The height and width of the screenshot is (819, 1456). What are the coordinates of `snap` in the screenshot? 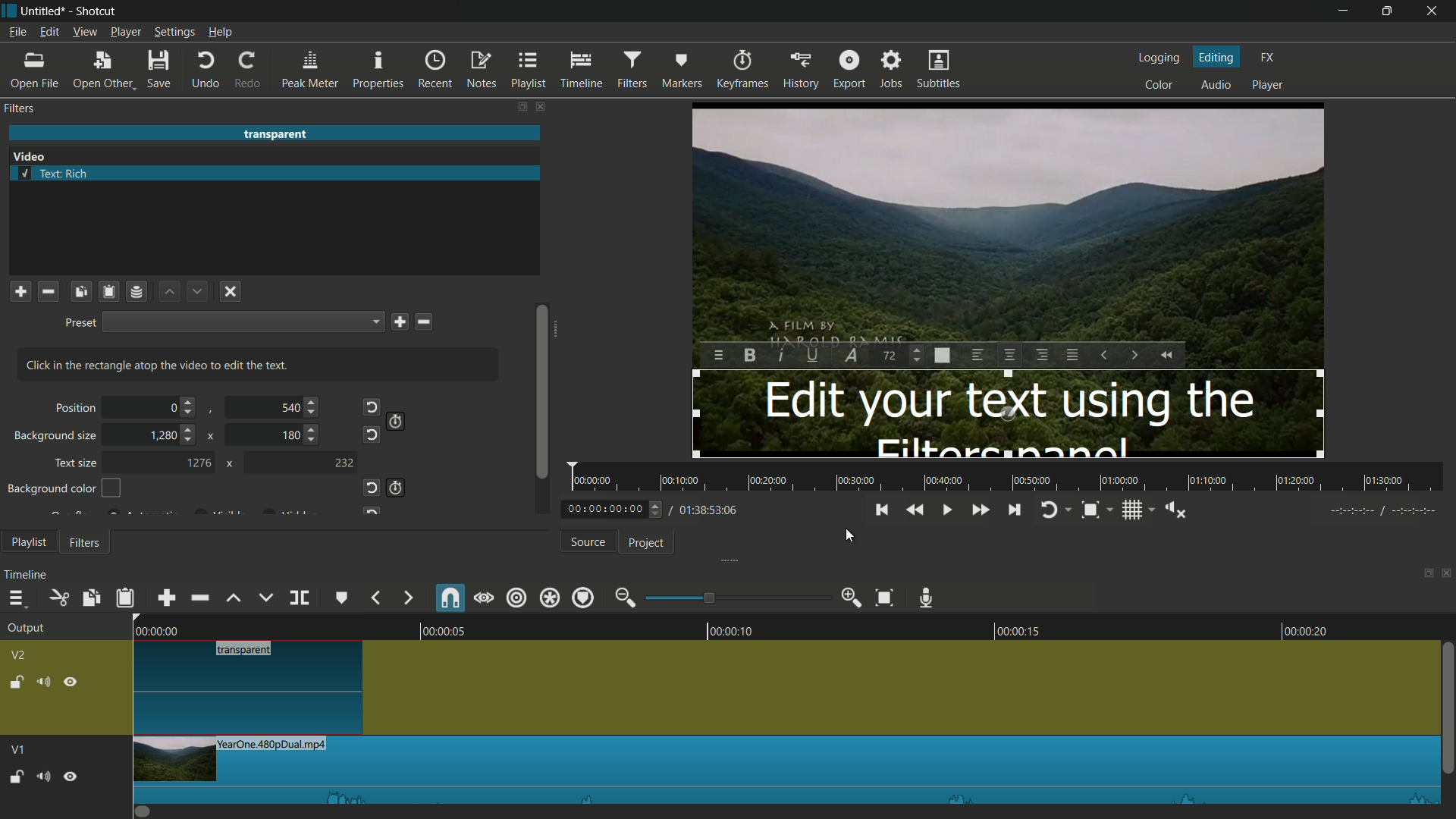 It's located at (451, 599).